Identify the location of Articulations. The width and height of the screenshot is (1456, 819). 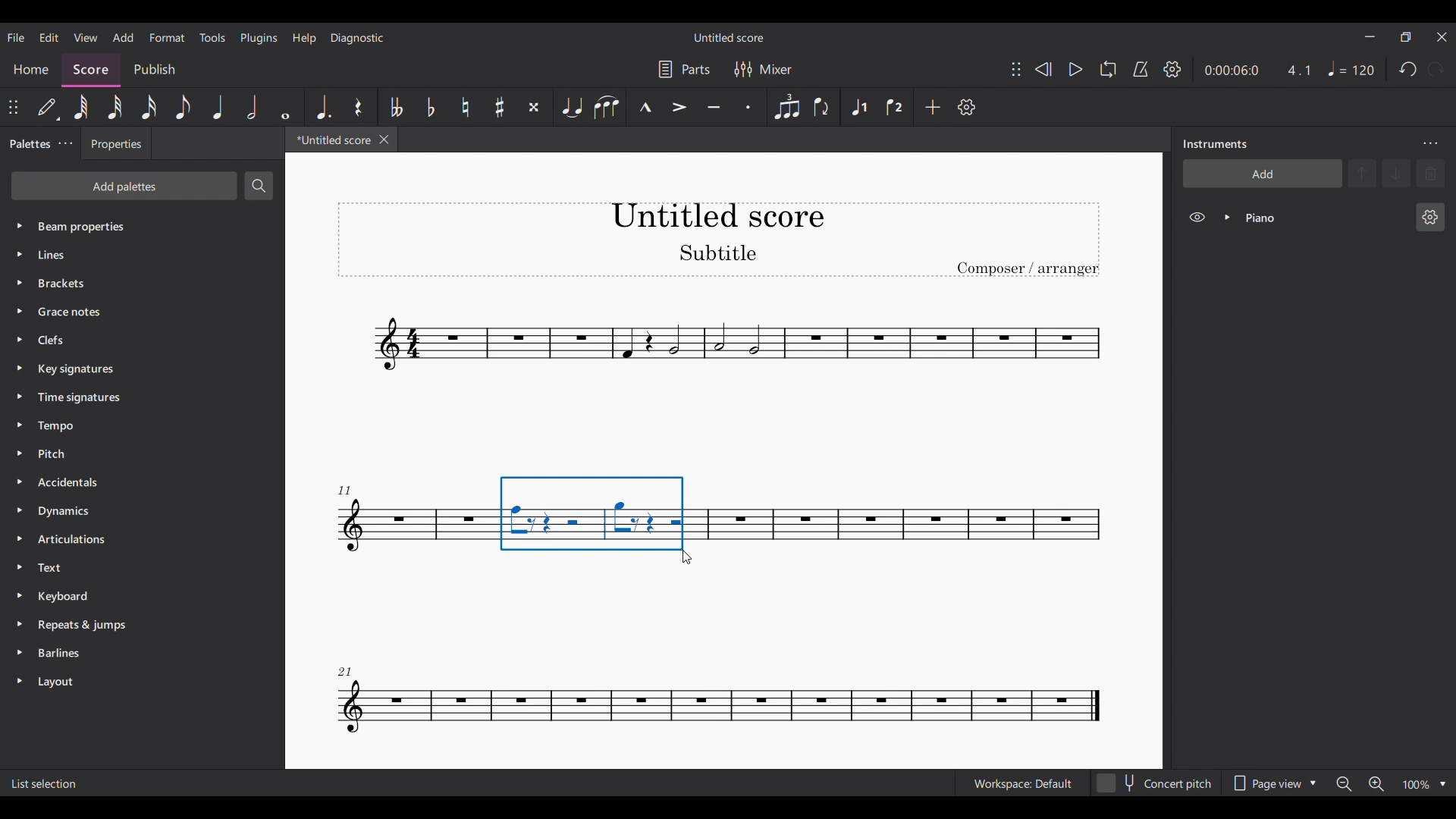
(127, 539).